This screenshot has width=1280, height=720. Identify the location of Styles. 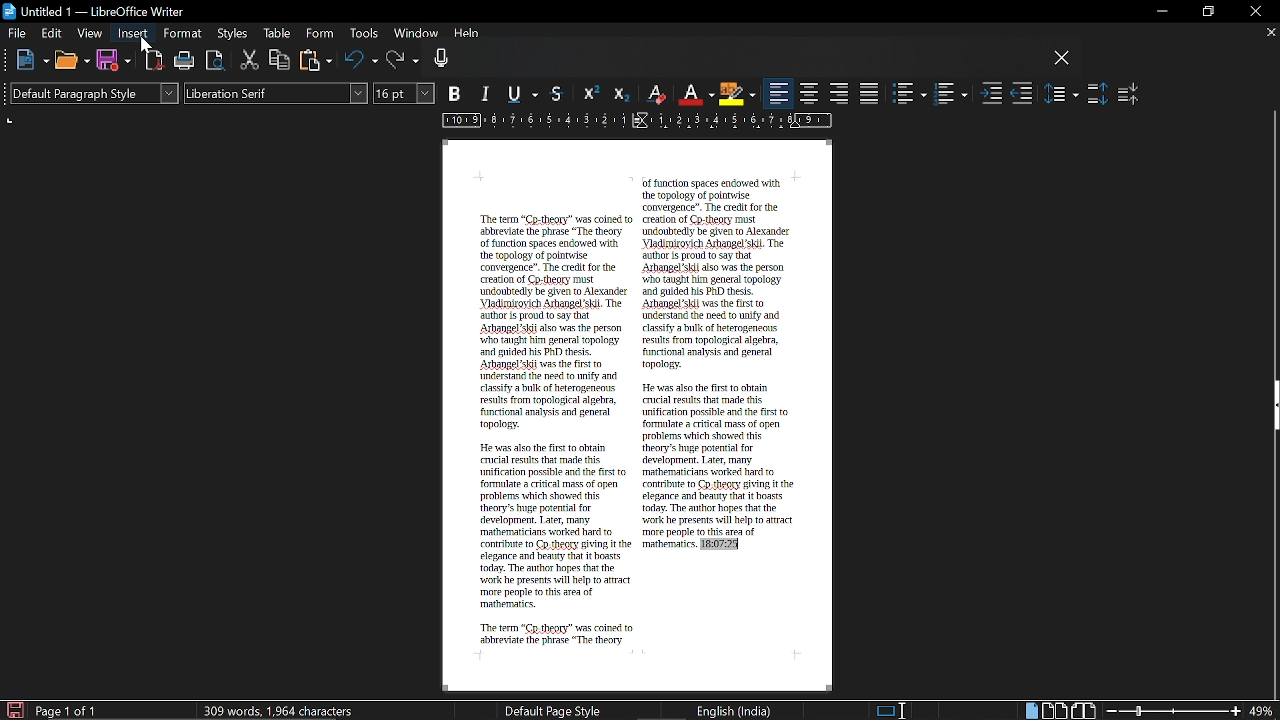
(234, 35).